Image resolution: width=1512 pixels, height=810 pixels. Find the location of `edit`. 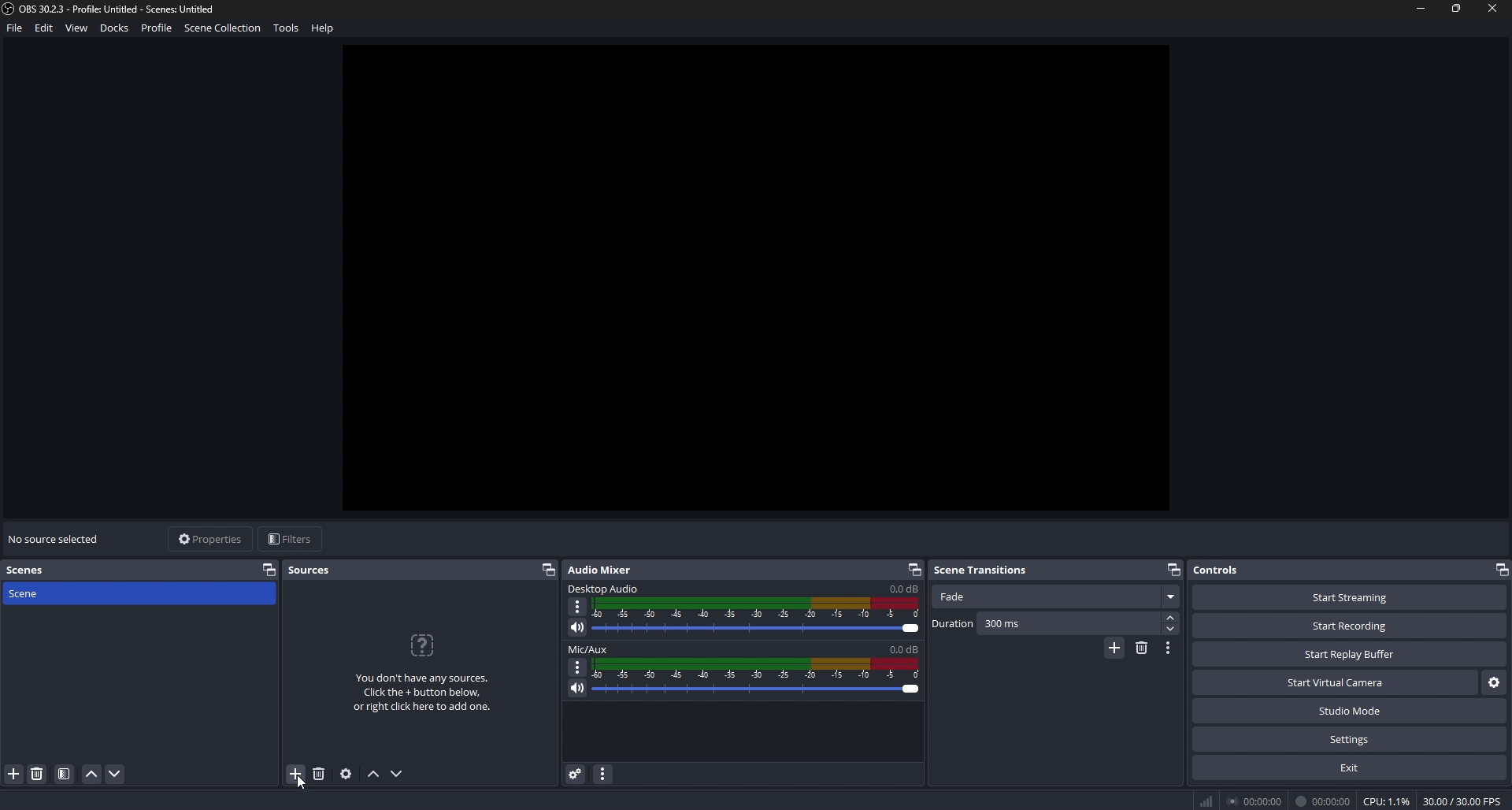

edit is located at coordinates (46, 28).